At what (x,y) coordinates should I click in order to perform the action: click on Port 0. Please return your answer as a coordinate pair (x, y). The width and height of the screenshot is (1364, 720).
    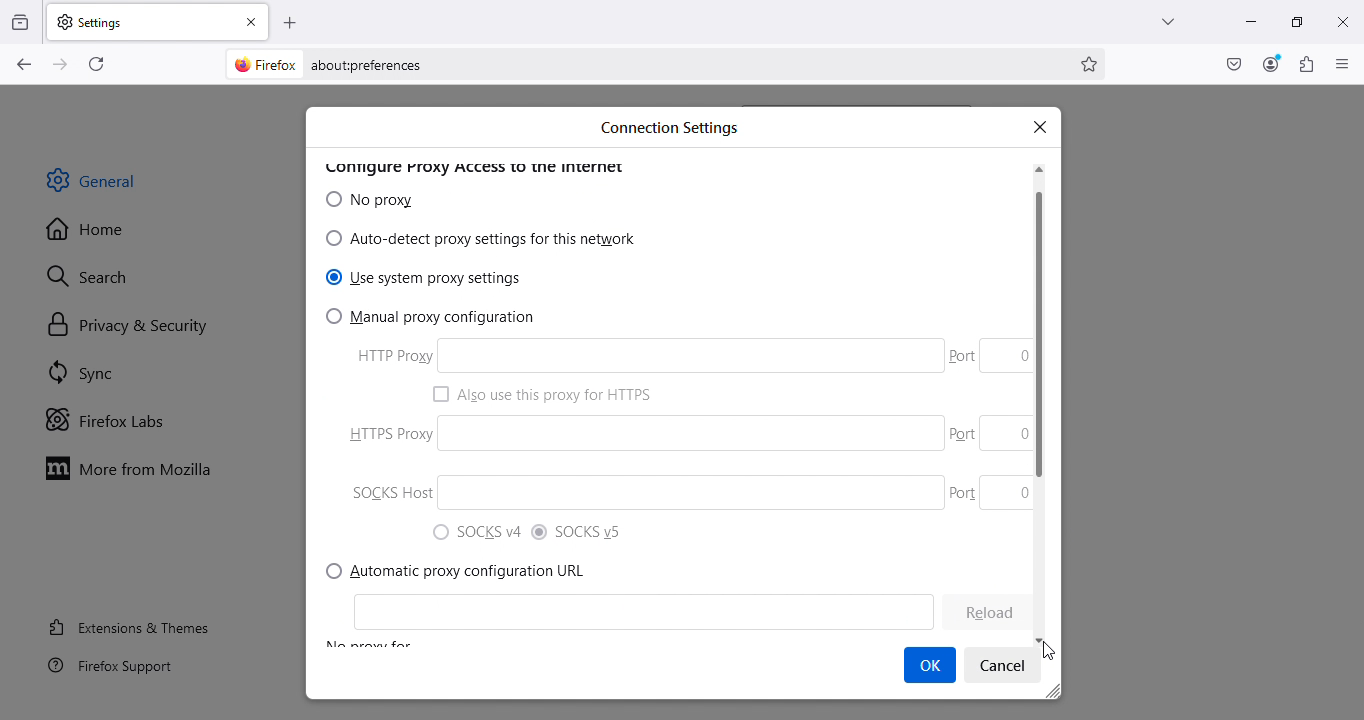
    Looking at the image, I should click on (982, 497).